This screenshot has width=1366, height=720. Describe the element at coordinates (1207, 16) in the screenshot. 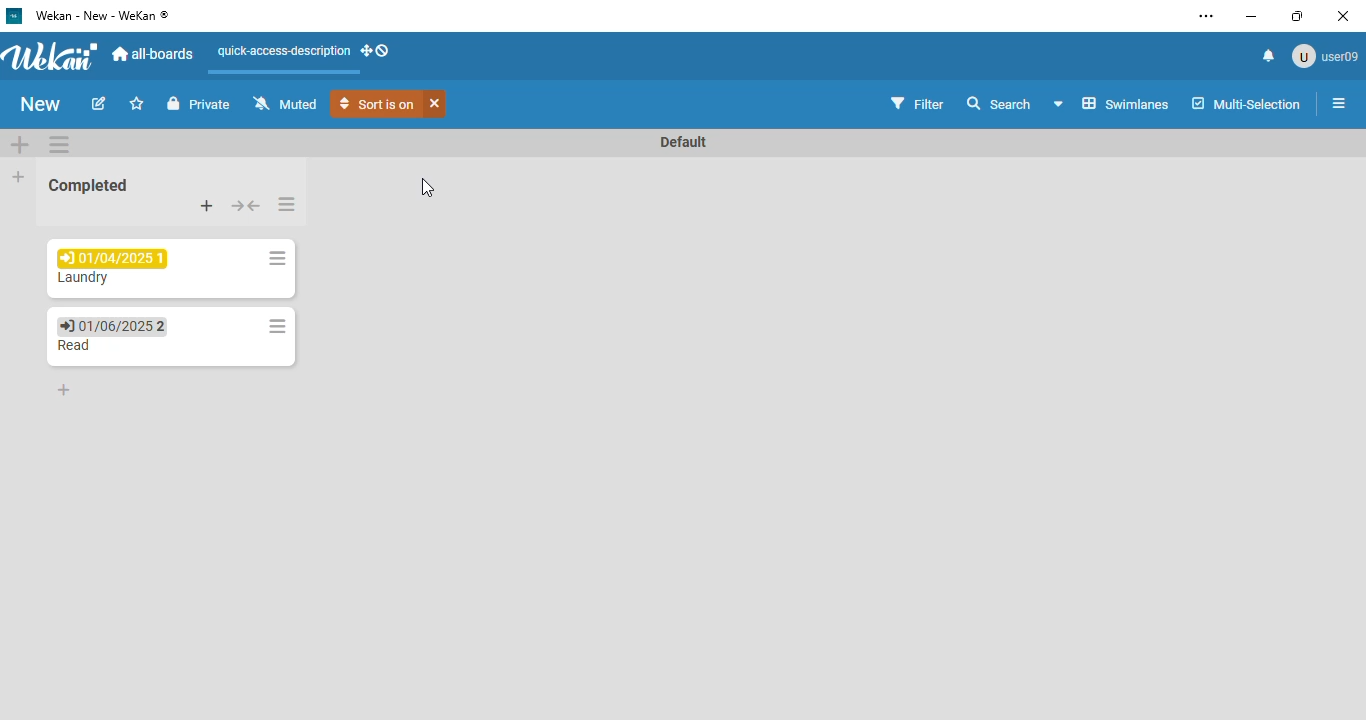

I see `settings and more` at that location.